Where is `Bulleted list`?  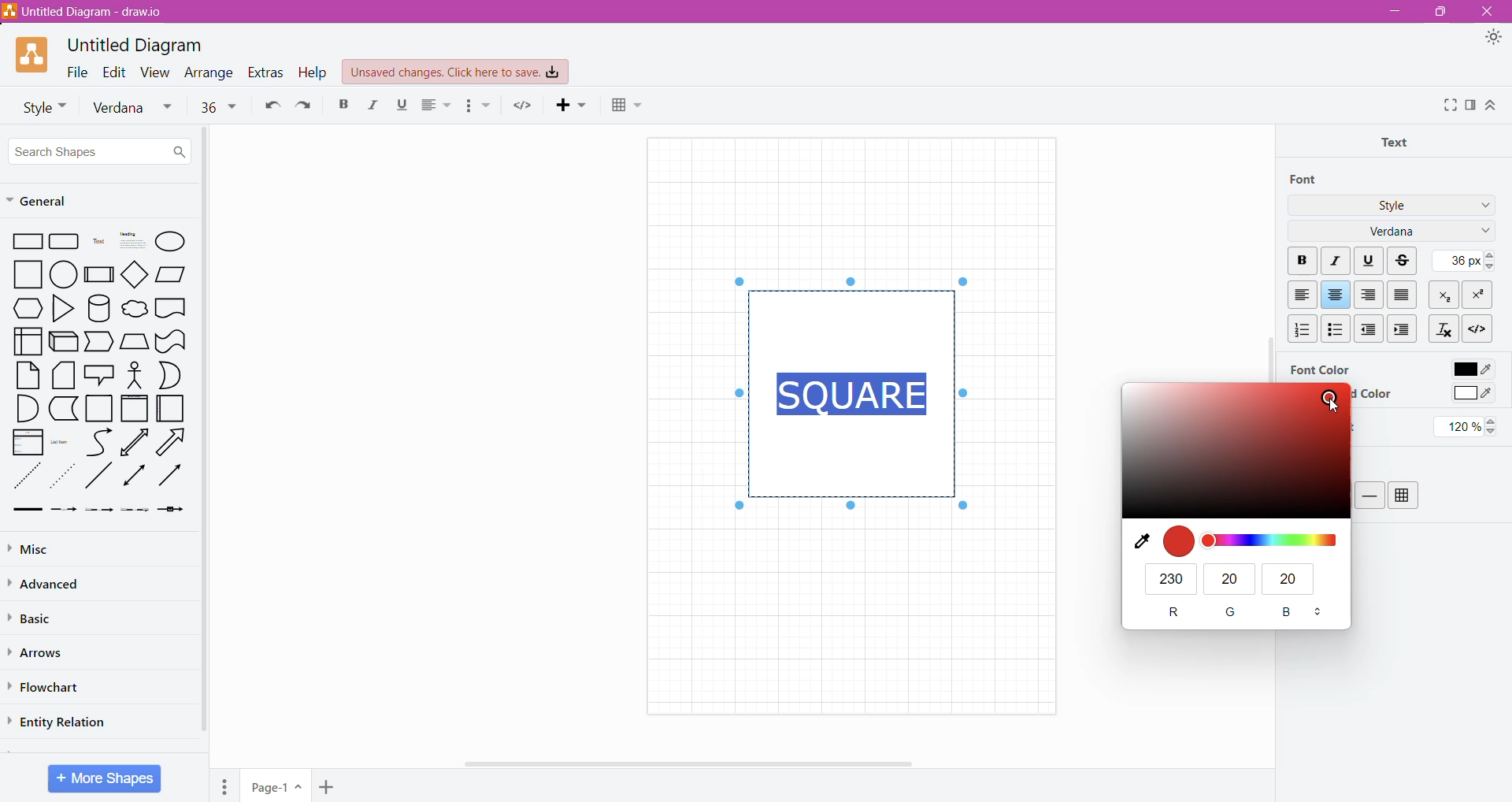 Bulleted list is located at coordinates (480, 106).